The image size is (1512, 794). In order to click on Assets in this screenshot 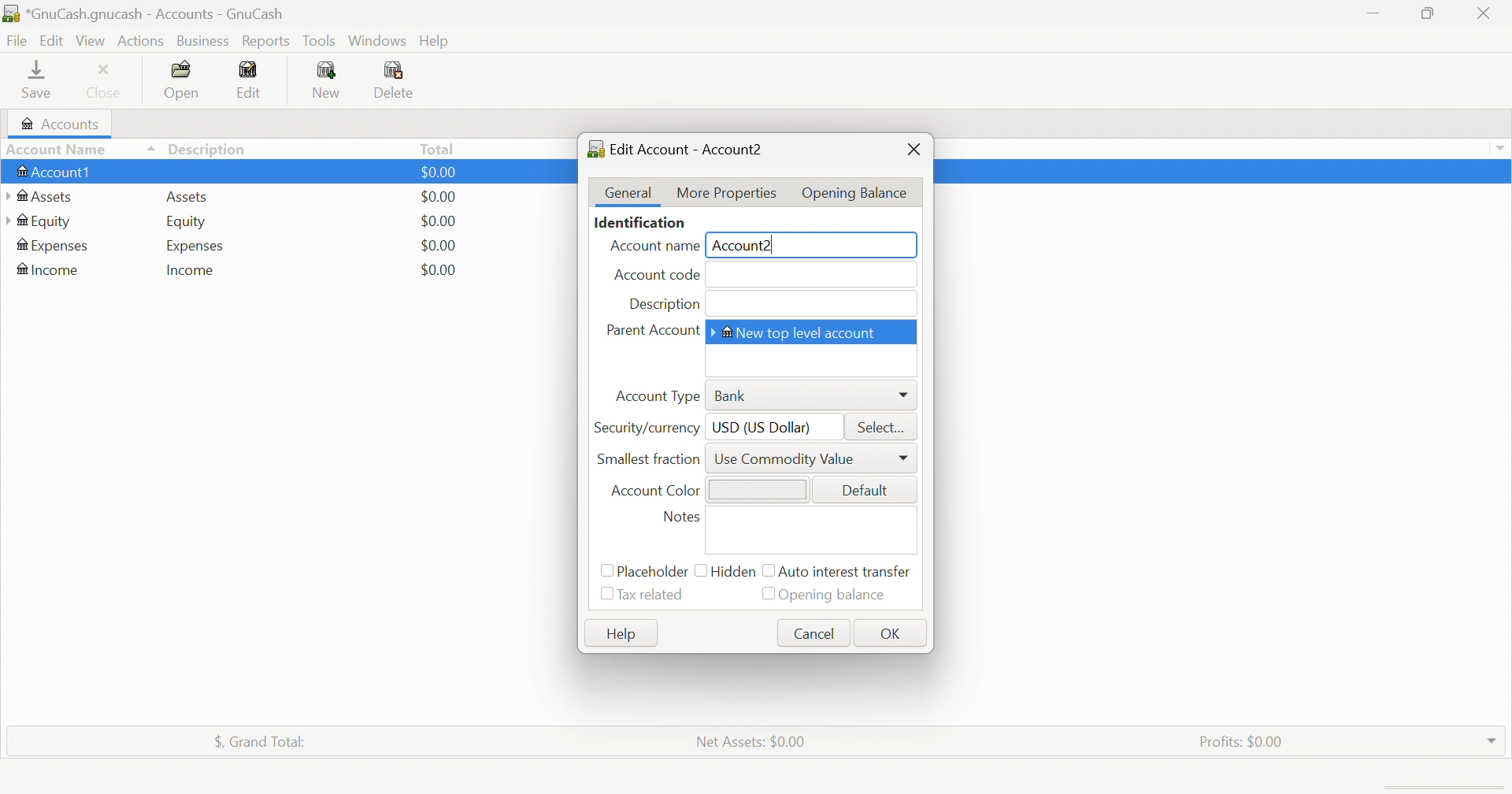, I will do `click(44, 198)`.